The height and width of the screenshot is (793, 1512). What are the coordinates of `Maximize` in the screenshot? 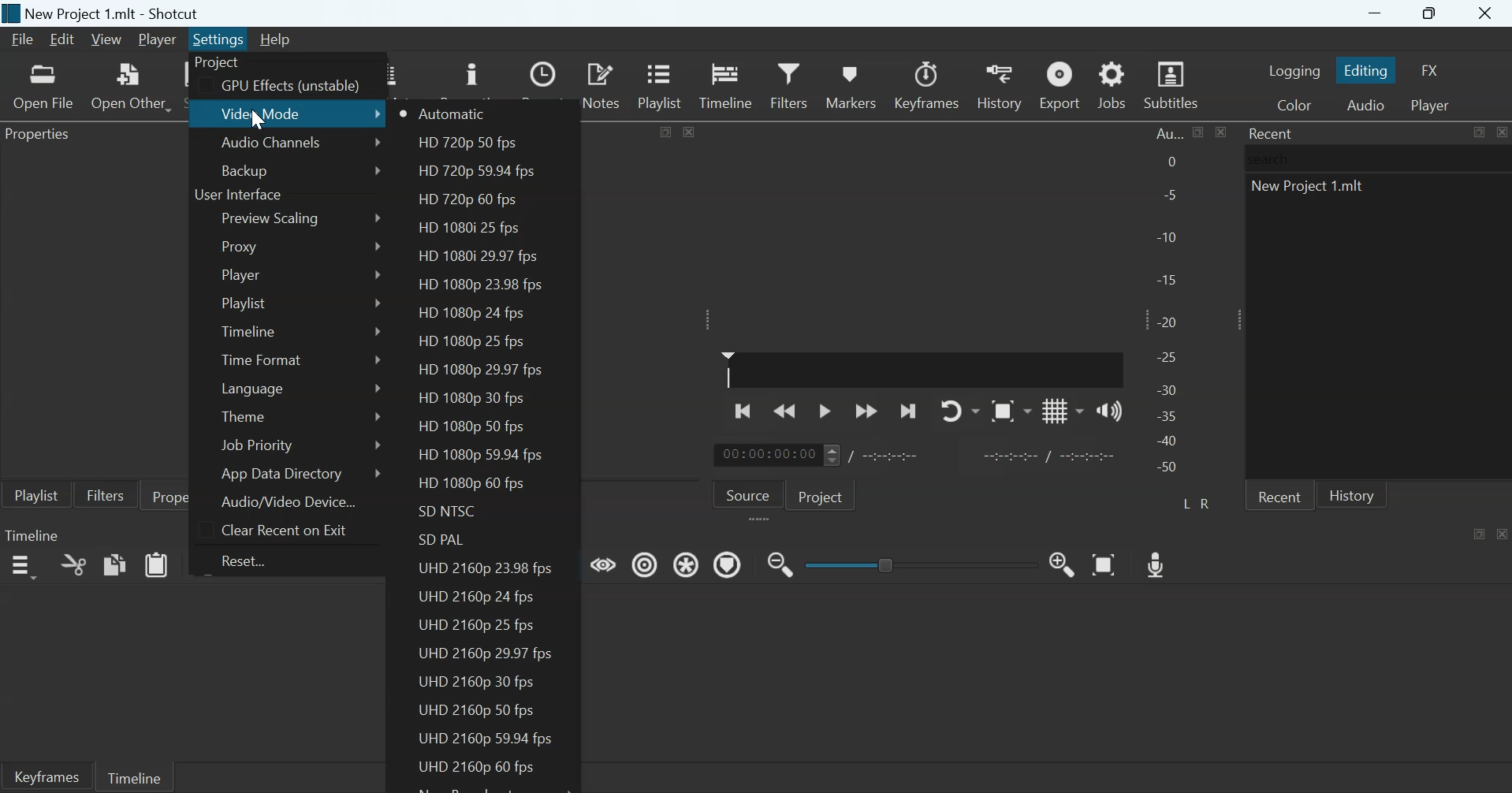 It's located at (1480, 533).